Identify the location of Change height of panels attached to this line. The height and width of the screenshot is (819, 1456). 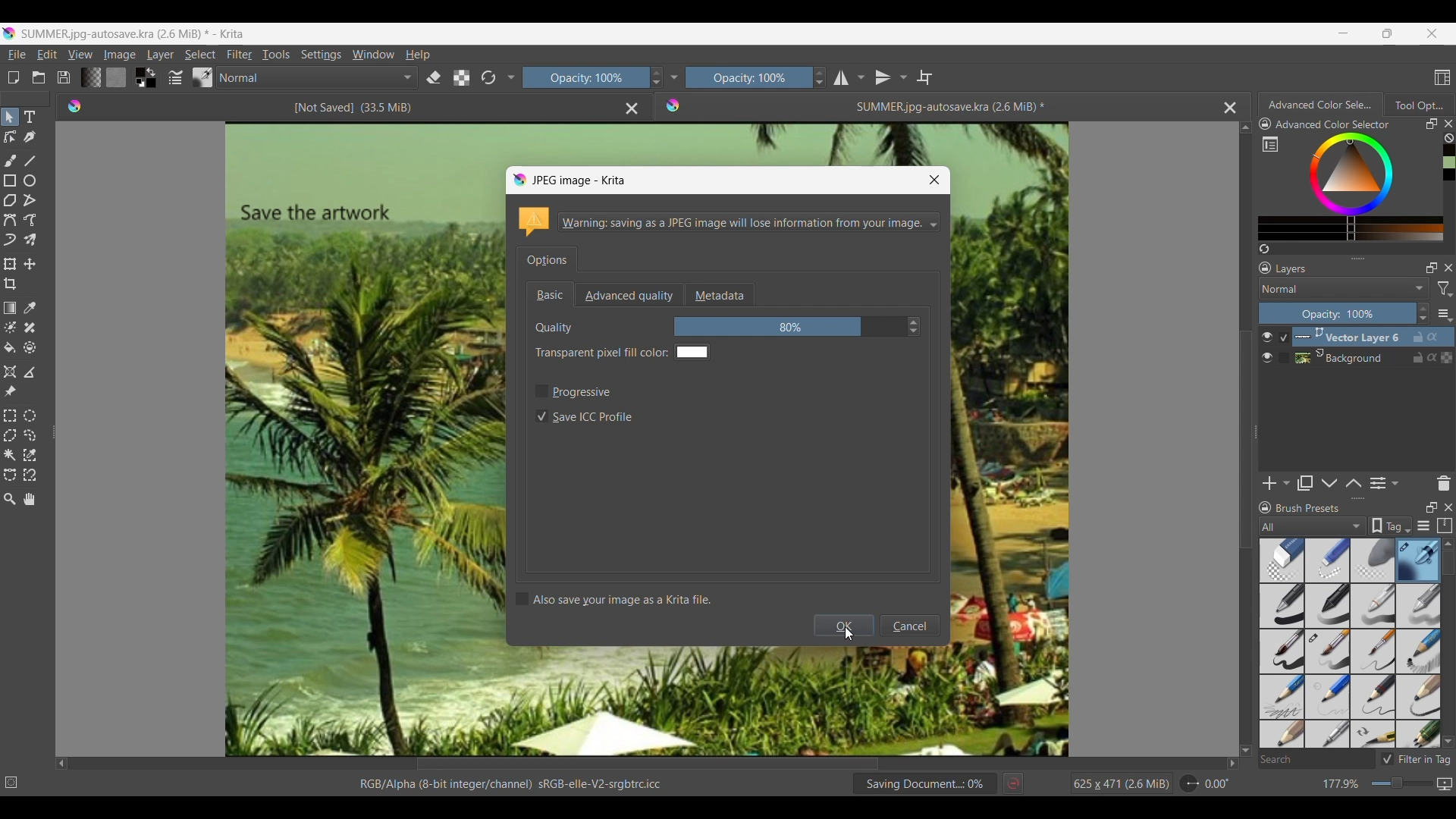
(1338, 258).